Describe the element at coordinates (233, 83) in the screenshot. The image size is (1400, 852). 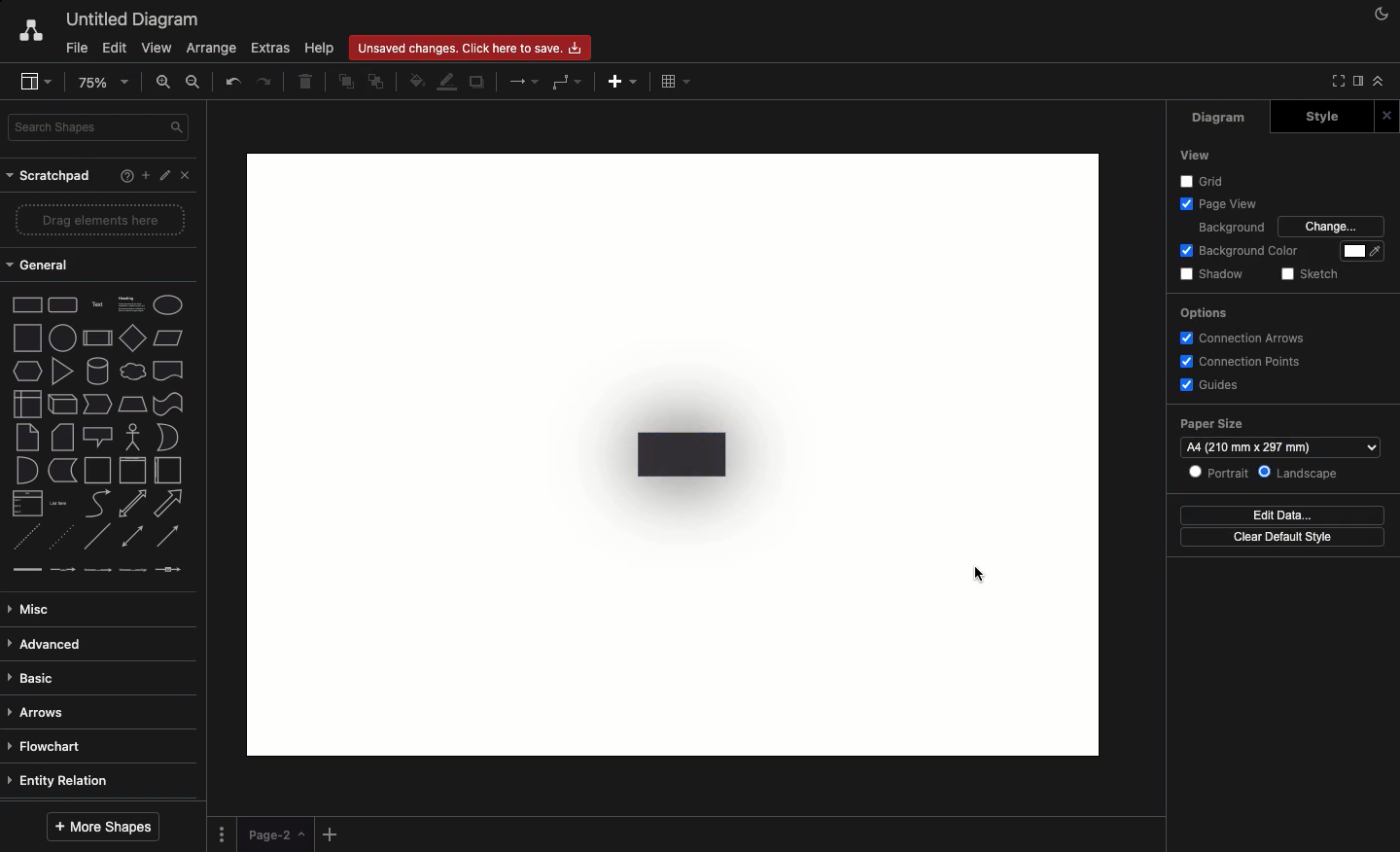
I see `Undo` at that location.